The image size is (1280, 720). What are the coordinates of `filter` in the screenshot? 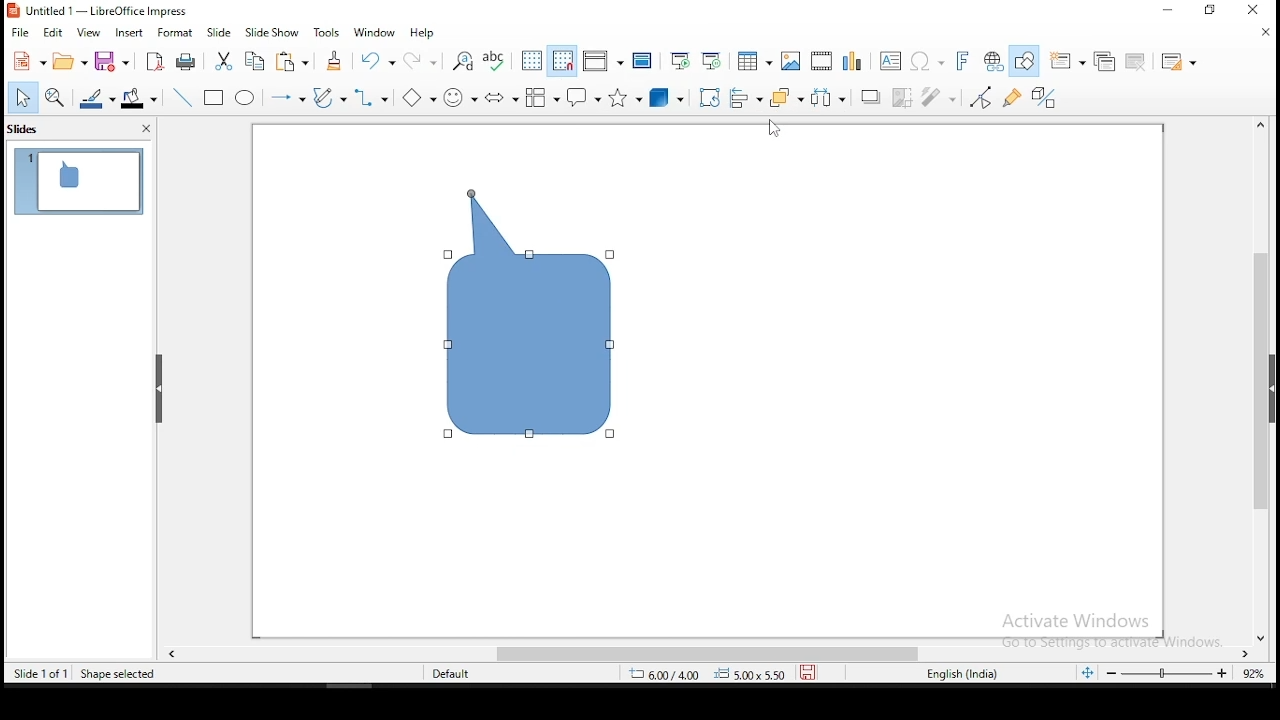 It's located at (940, 97).